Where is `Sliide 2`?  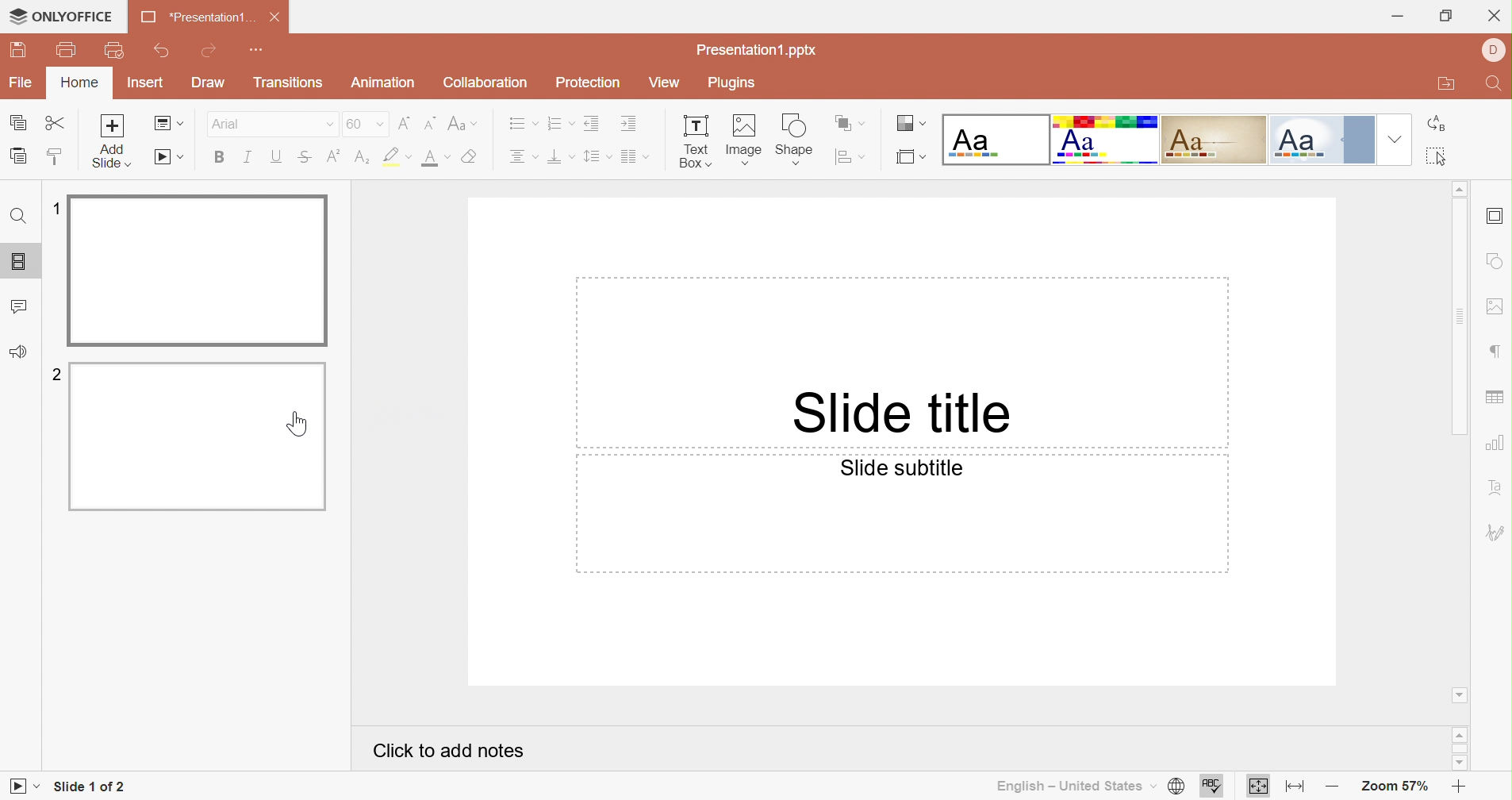 Sliide 2 is located at coordinates (201, 436).